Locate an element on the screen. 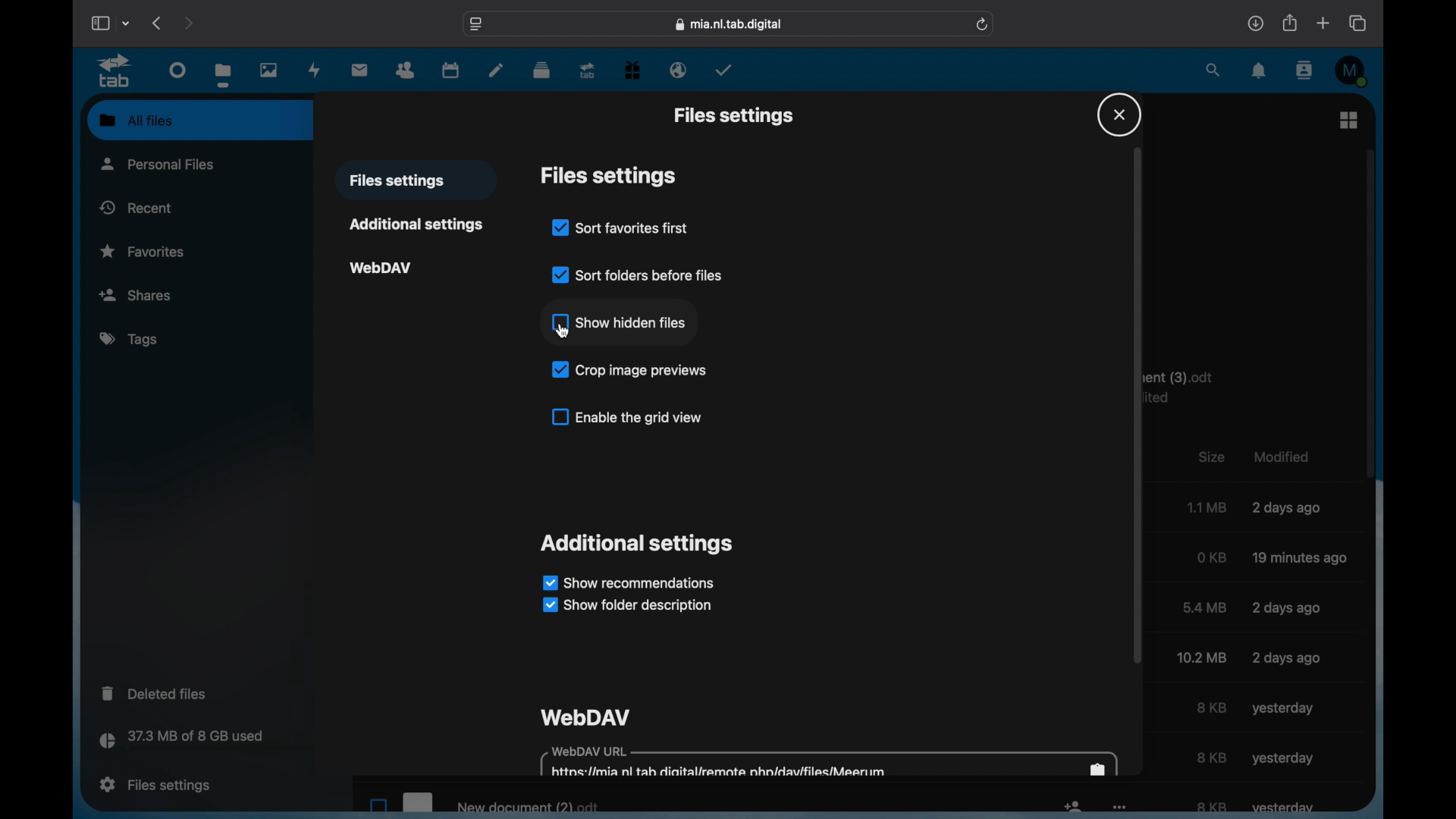 This screenshot has width=1456, height=819. calendar is located at coordinates (452, 71).